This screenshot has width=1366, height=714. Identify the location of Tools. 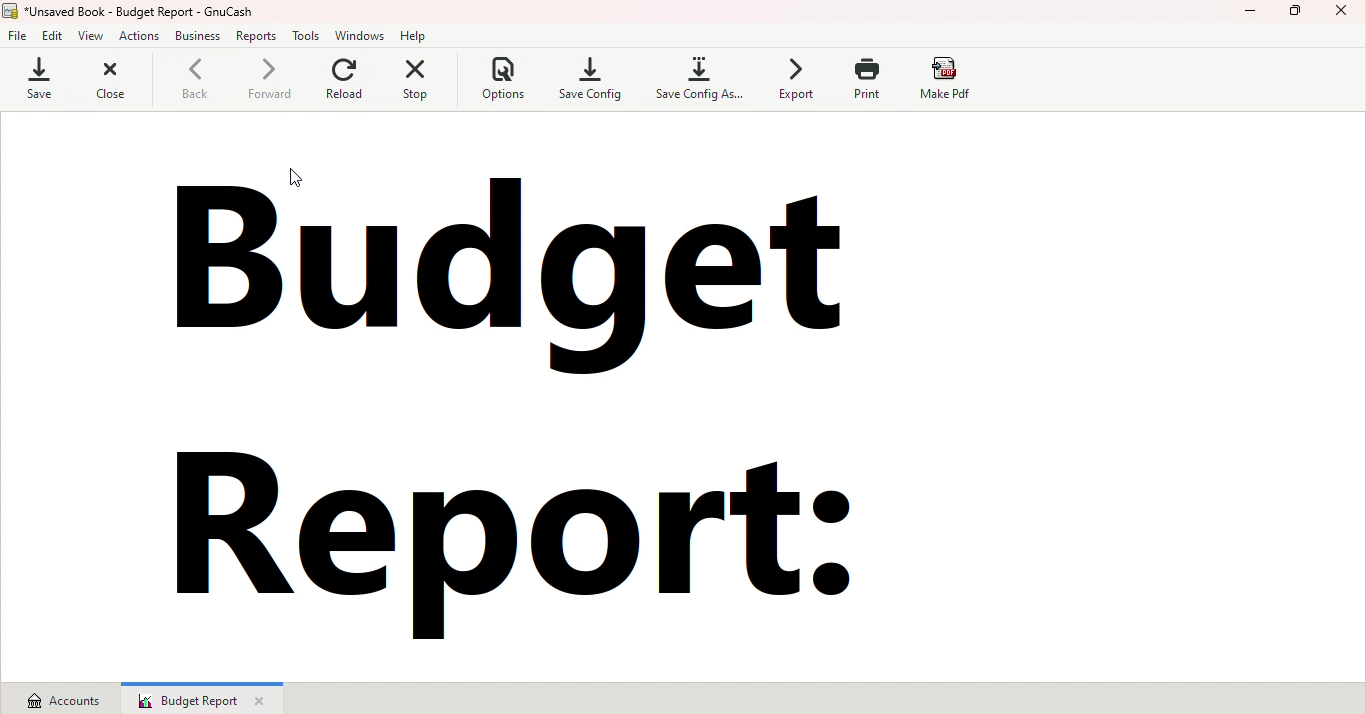
(308, 36).